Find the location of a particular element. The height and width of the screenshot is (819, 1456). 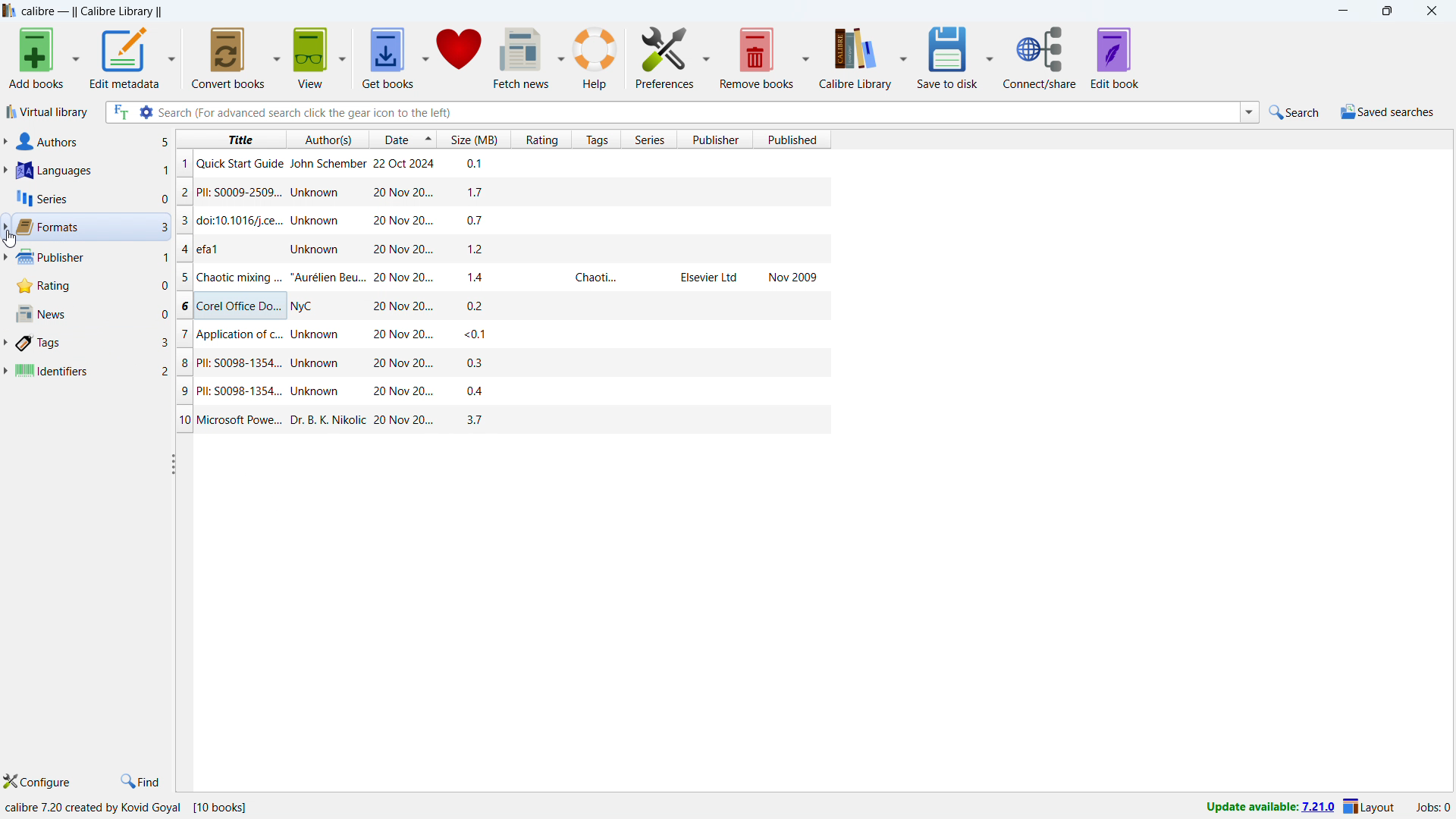

sort by published is located at coordinates (792, 140).